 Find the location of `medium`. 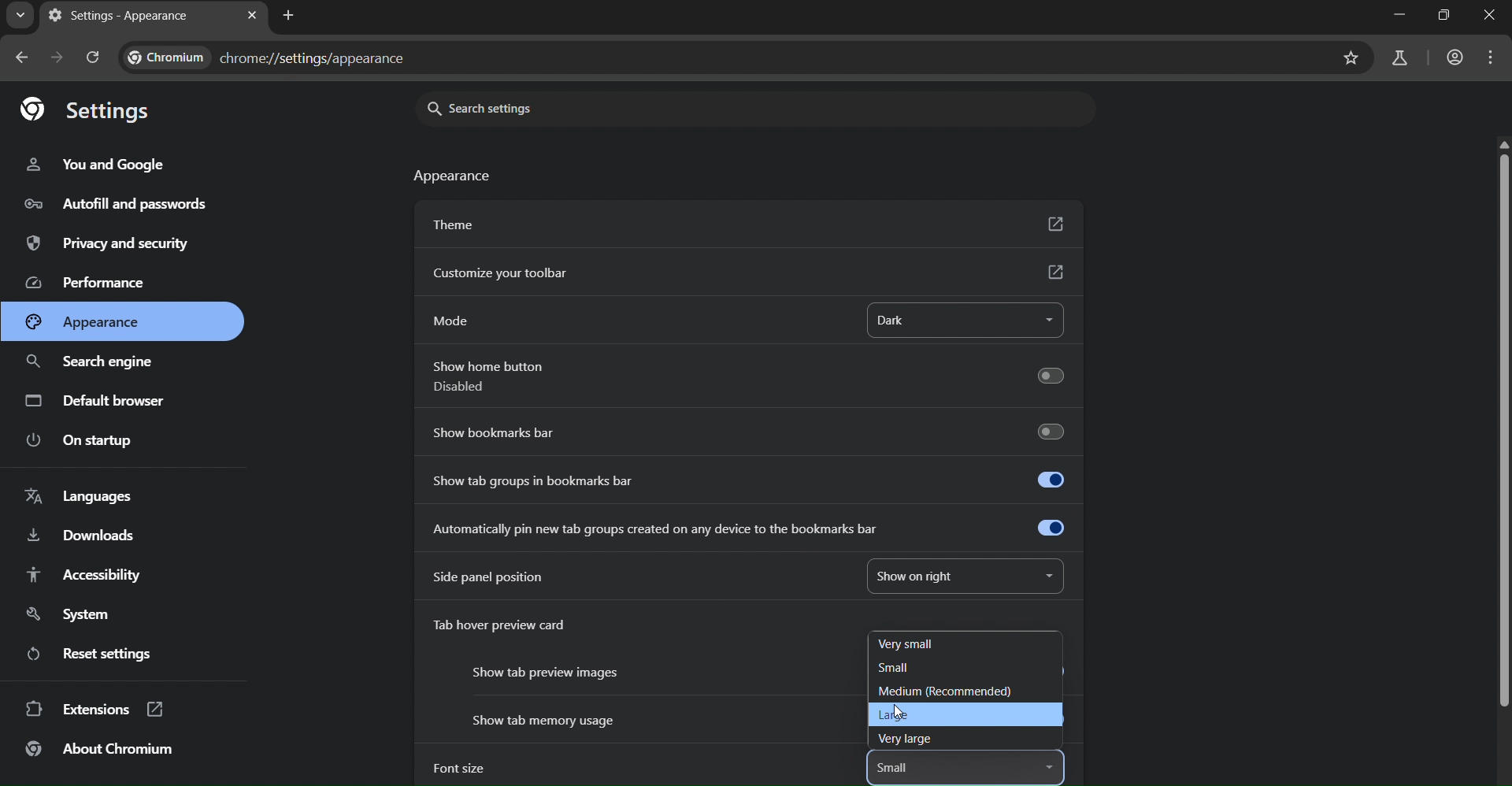

medium is located at coordinates (943, 692).